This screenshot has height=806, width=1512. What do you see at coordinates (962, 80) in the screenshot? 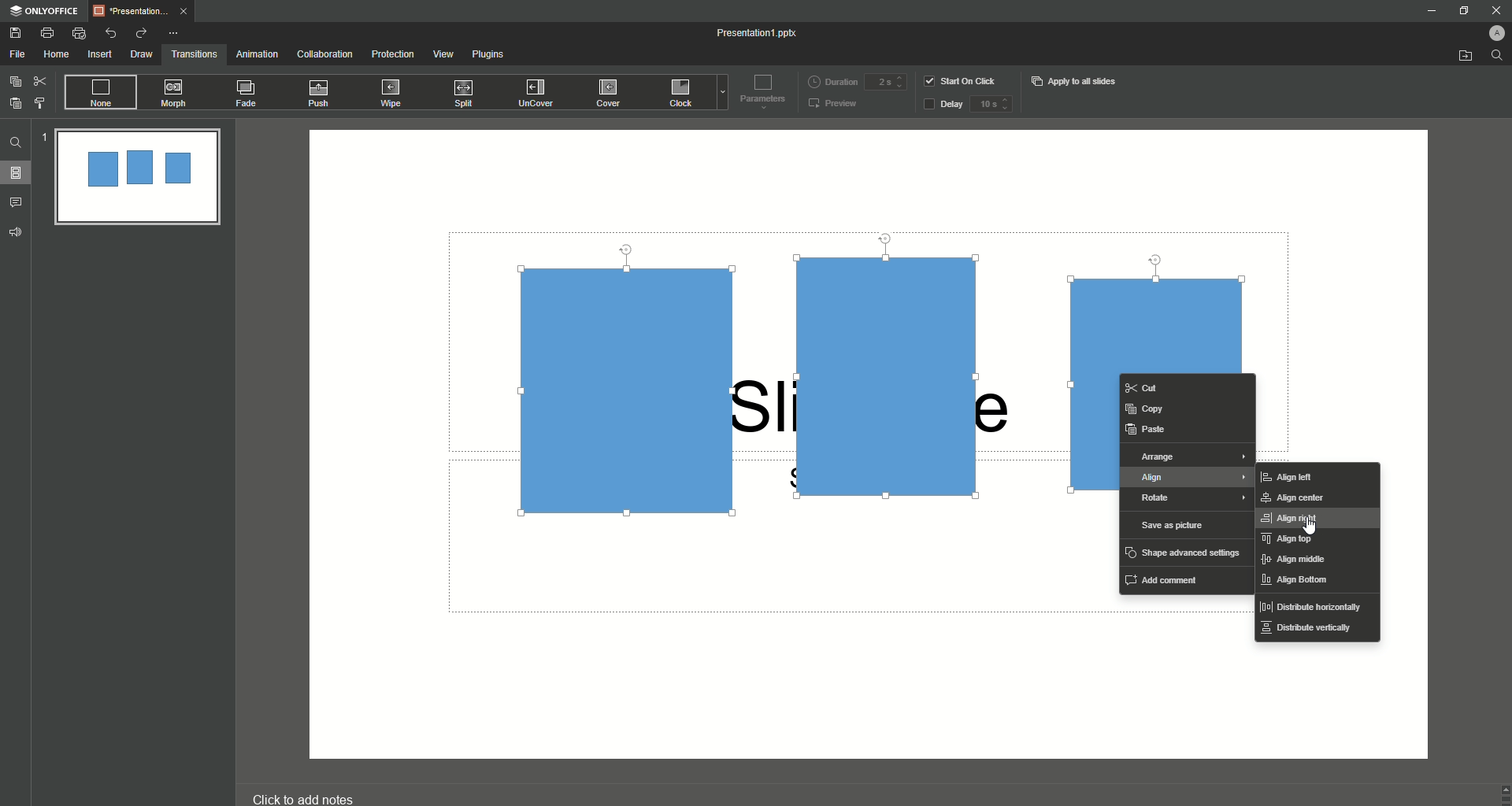
I see `Start on click` at bounding box center [962, 80].